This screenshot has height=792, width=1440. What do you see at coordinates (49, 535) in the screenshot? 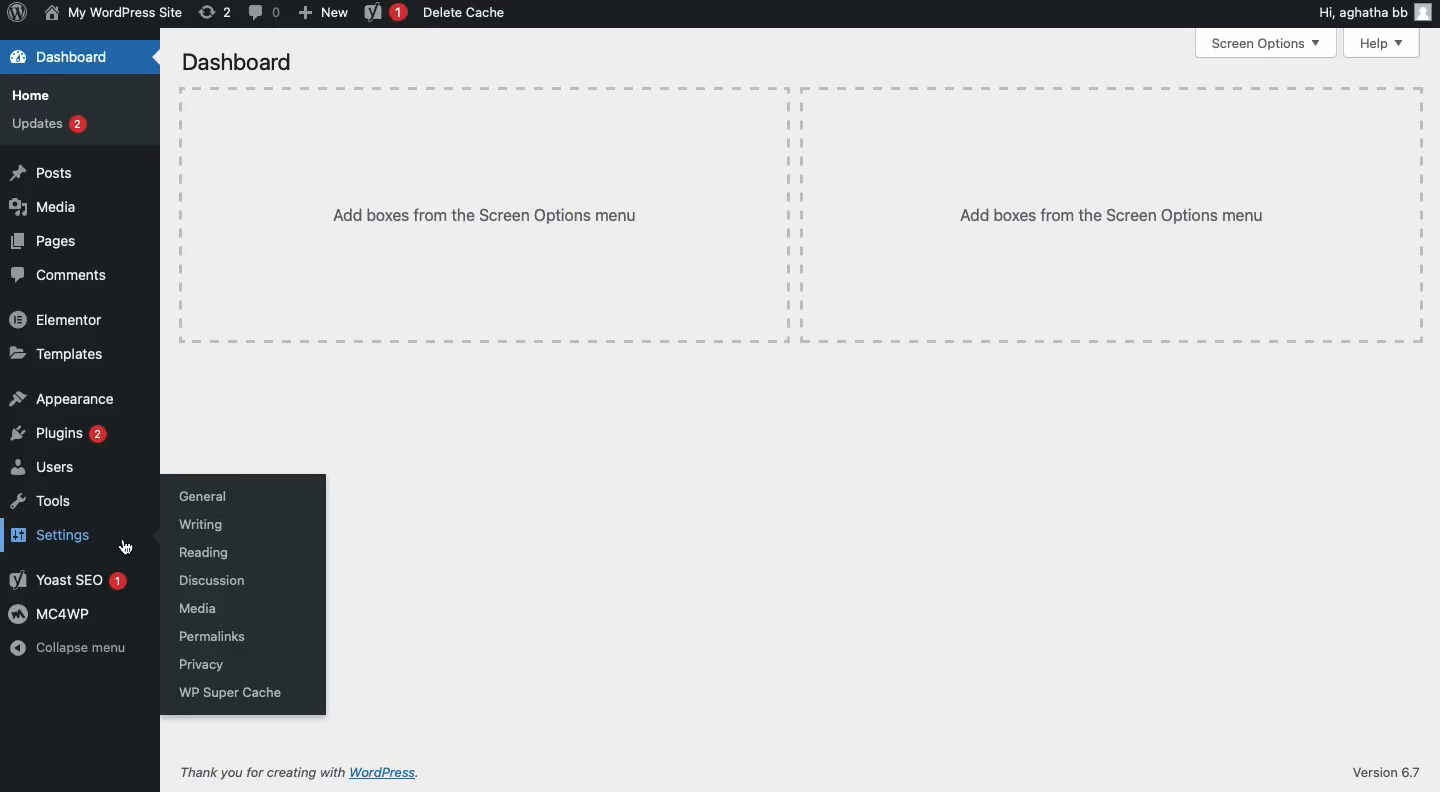
I see `Settings` at bounding box center [49, 535].